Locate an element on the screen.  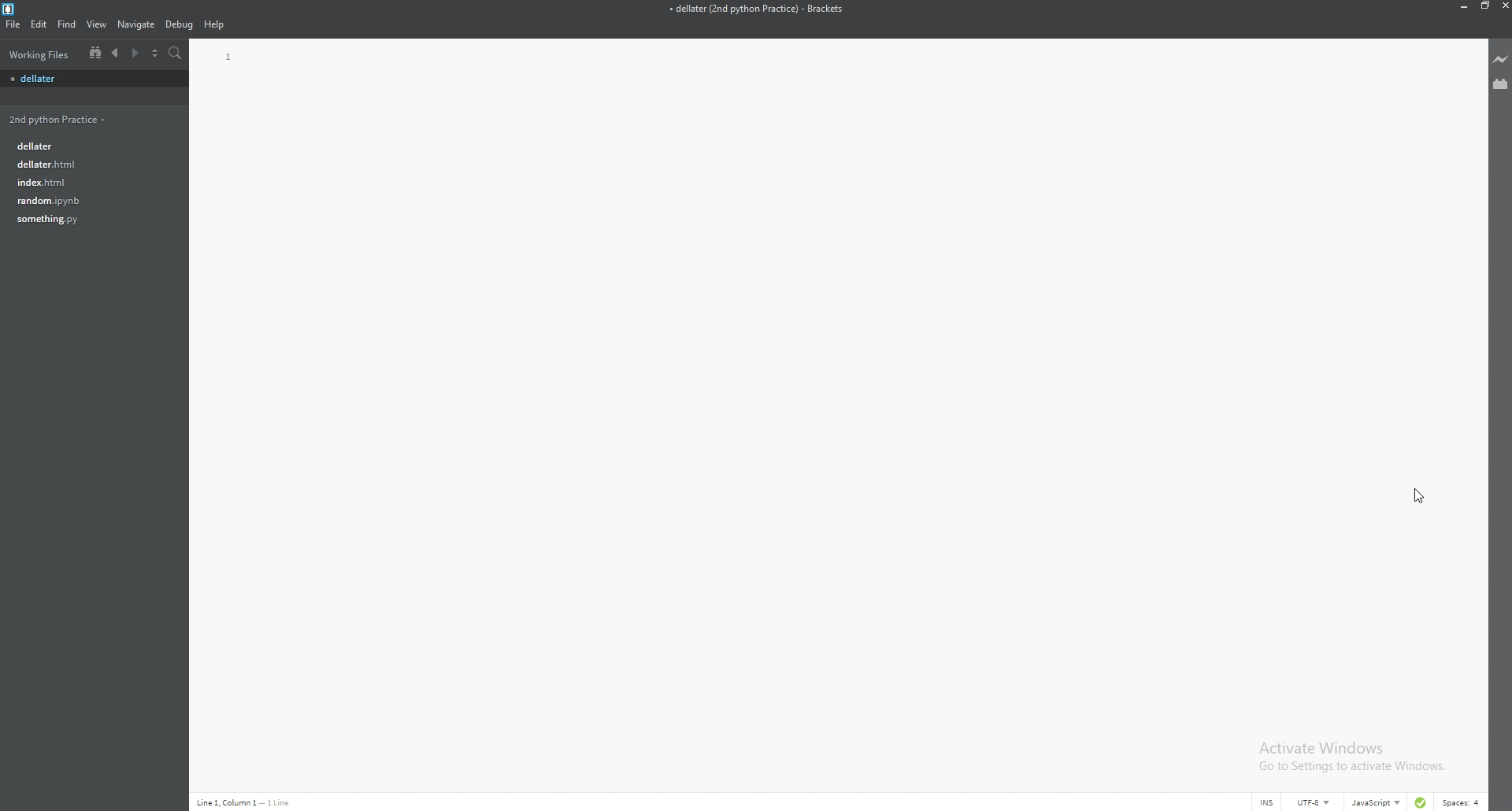
linter is located at coordinates (1421, 803).